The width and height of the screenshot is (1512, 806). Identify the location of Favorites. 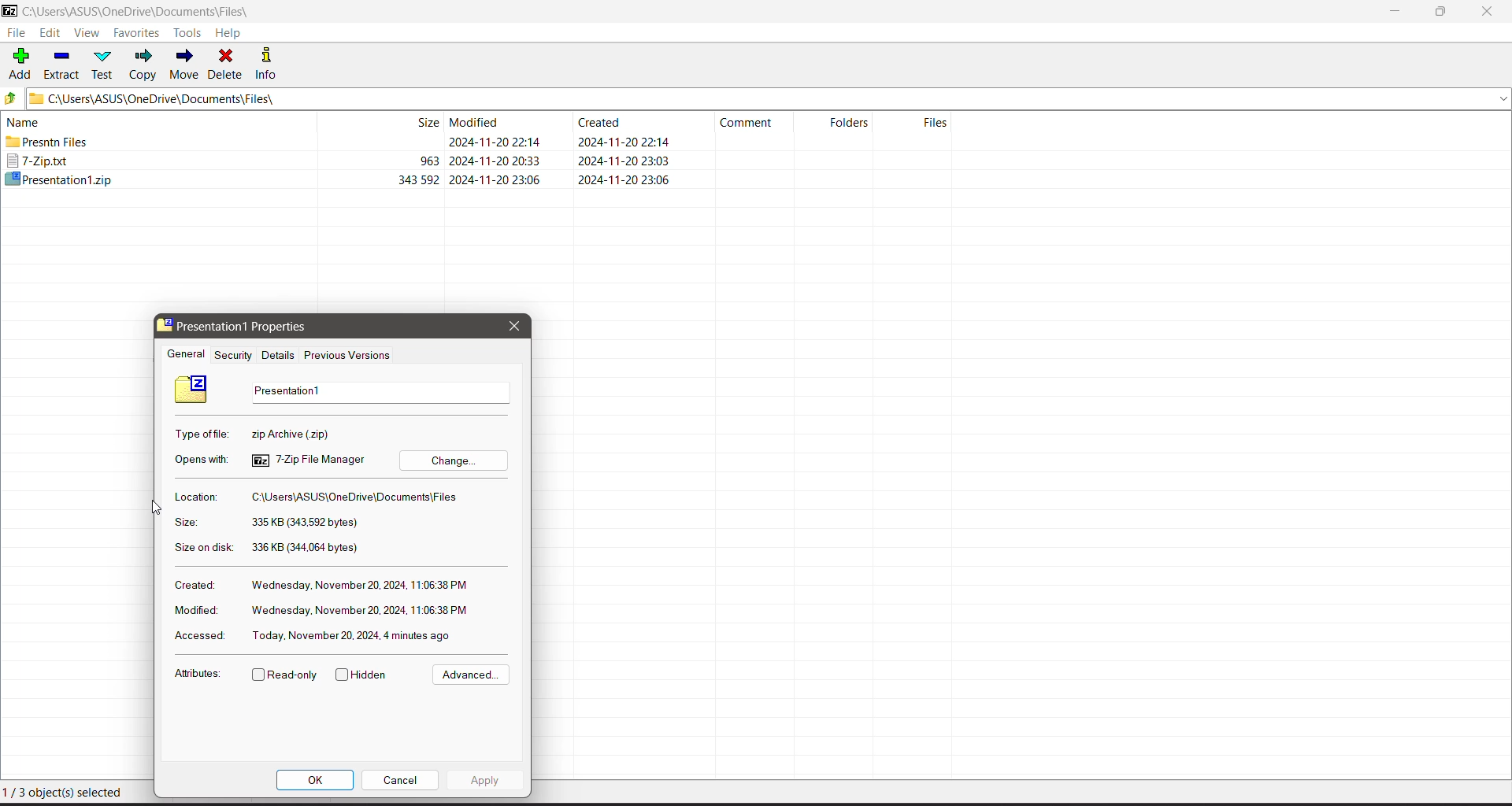
(137, 33).